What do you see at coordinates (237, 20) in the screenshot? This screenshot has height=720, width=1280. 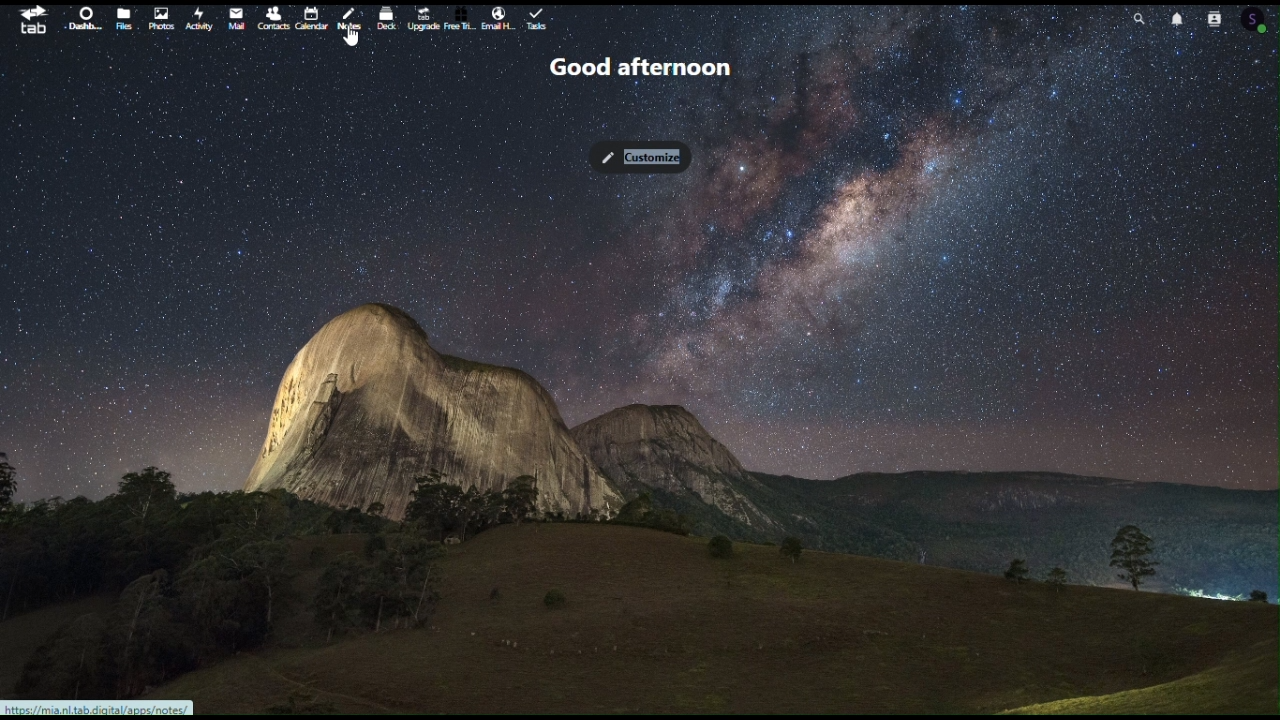 I see `Mail` at bounding box center [237, 20].